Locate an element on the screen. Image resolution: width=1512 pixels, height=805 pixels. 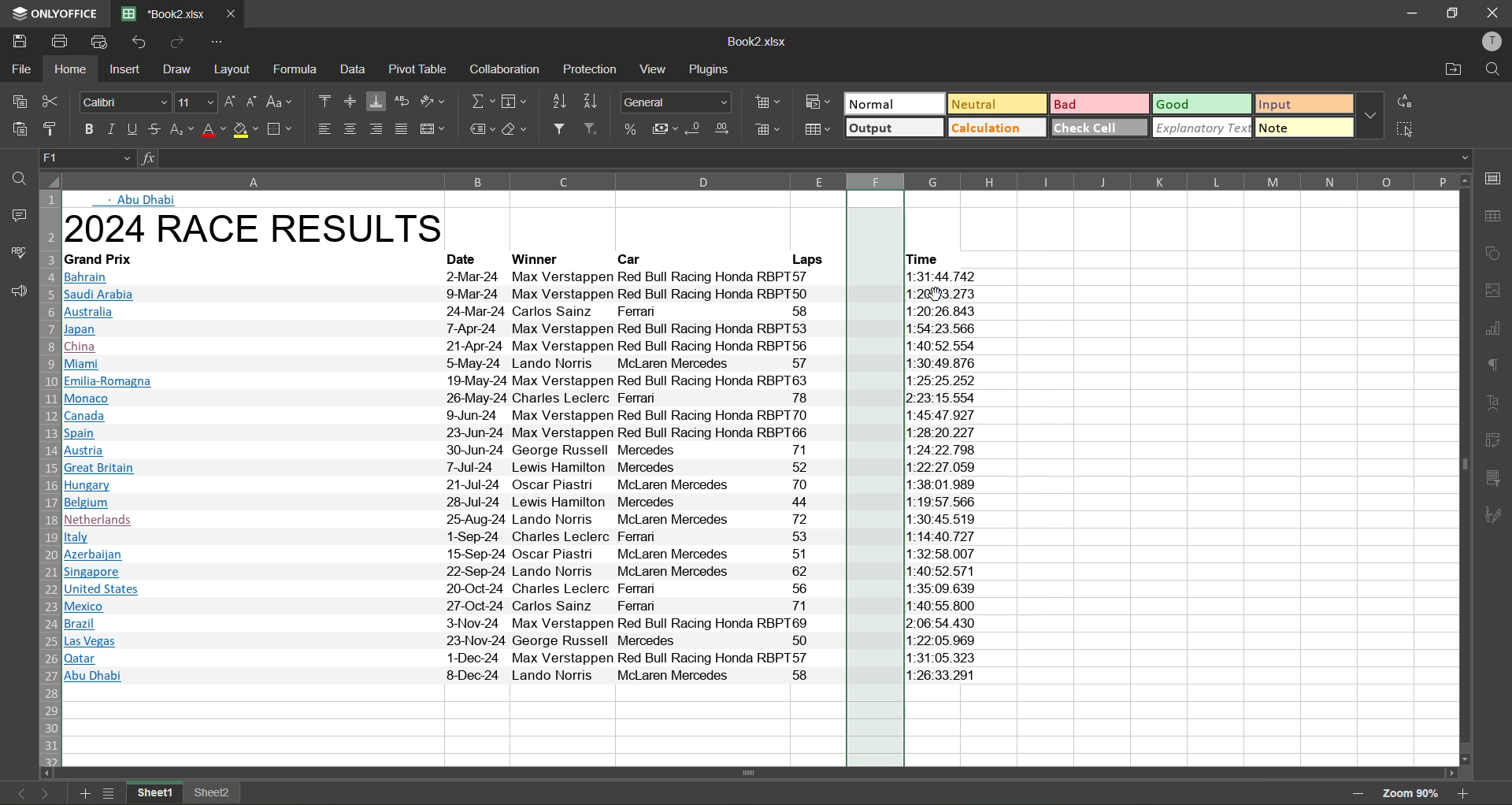
lM Australia 24-Mar-24 Carlos Sainz Ferran 58 1:20:26.843 is located at coordinates (448, 311).